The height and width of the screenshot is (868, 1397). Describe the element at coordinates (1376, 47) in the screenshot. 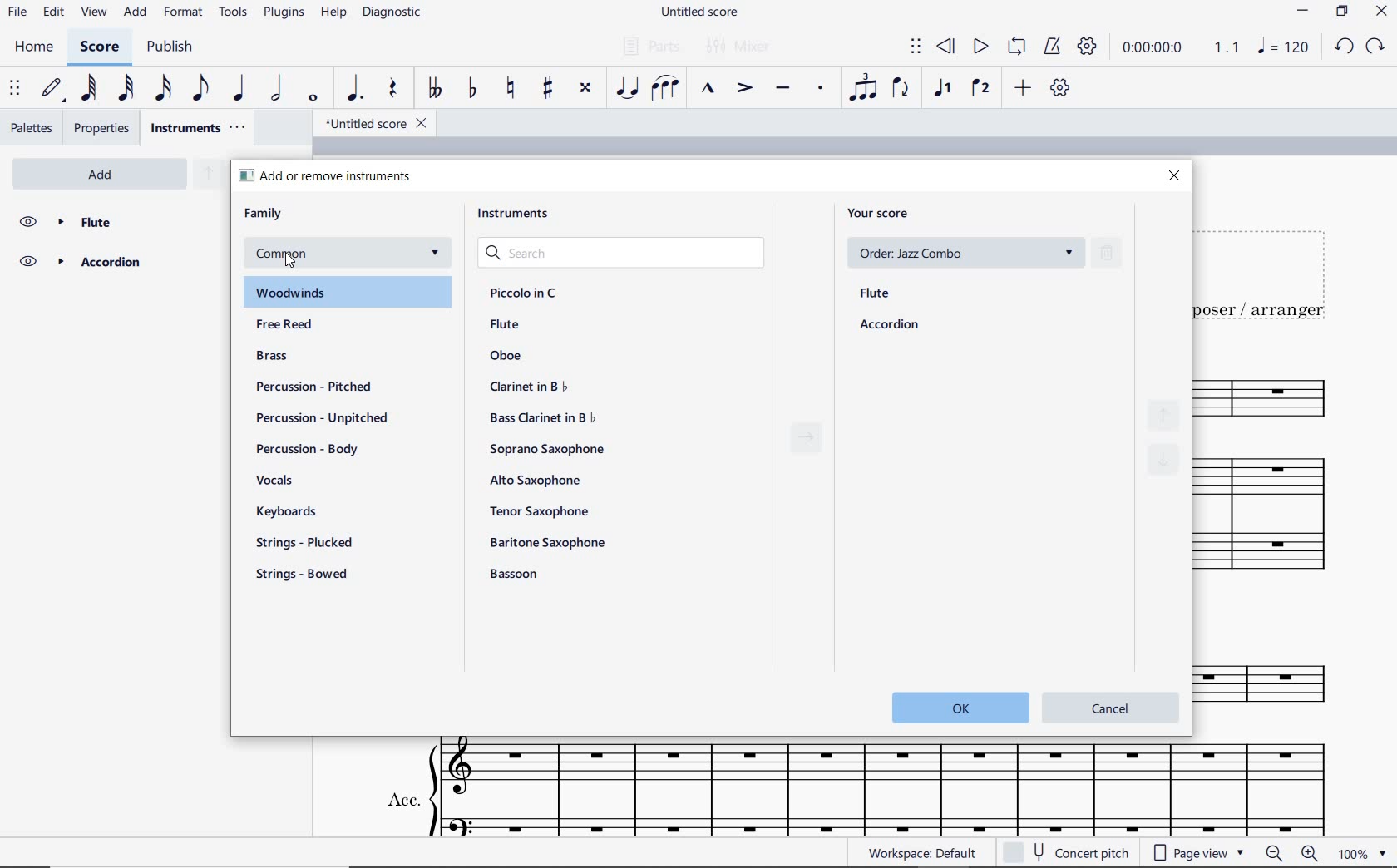

I see `REDO` at that location.